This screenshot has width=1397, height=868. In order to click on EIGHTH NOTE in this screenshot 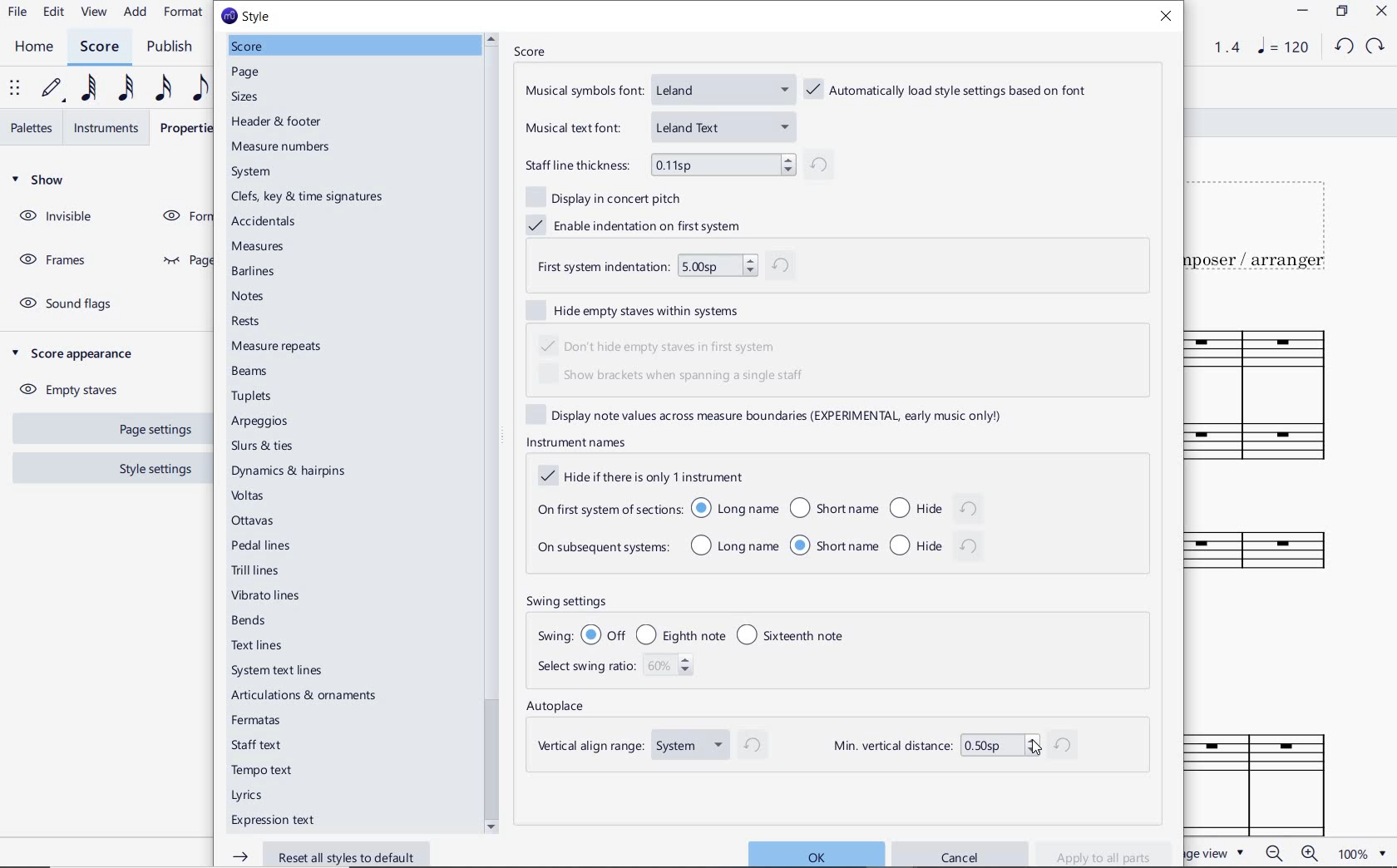, I will do `click(199, 89)`.